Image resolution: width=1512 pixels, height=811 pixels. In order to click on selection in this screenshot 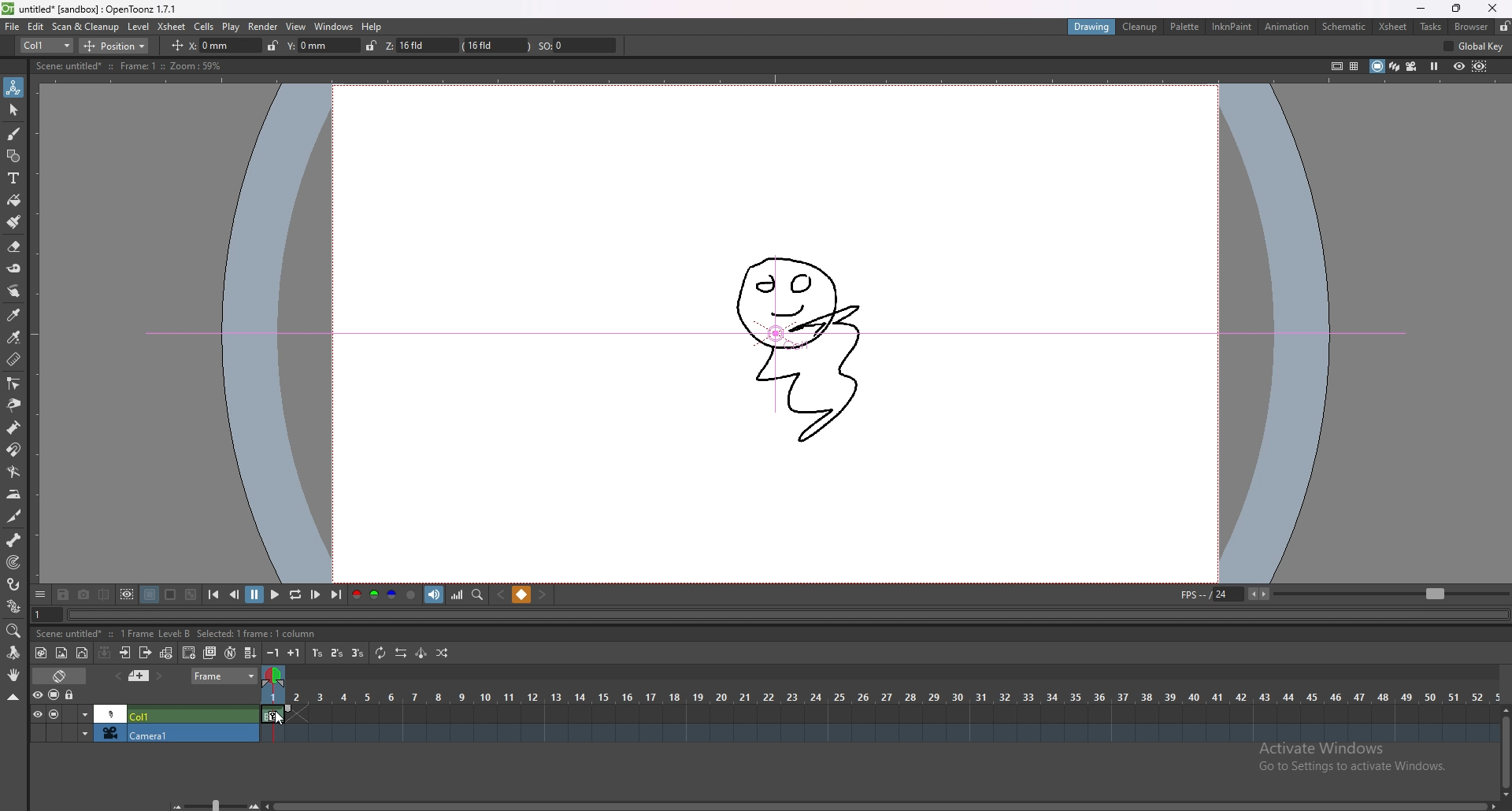, I will do `click(14, 110)`.